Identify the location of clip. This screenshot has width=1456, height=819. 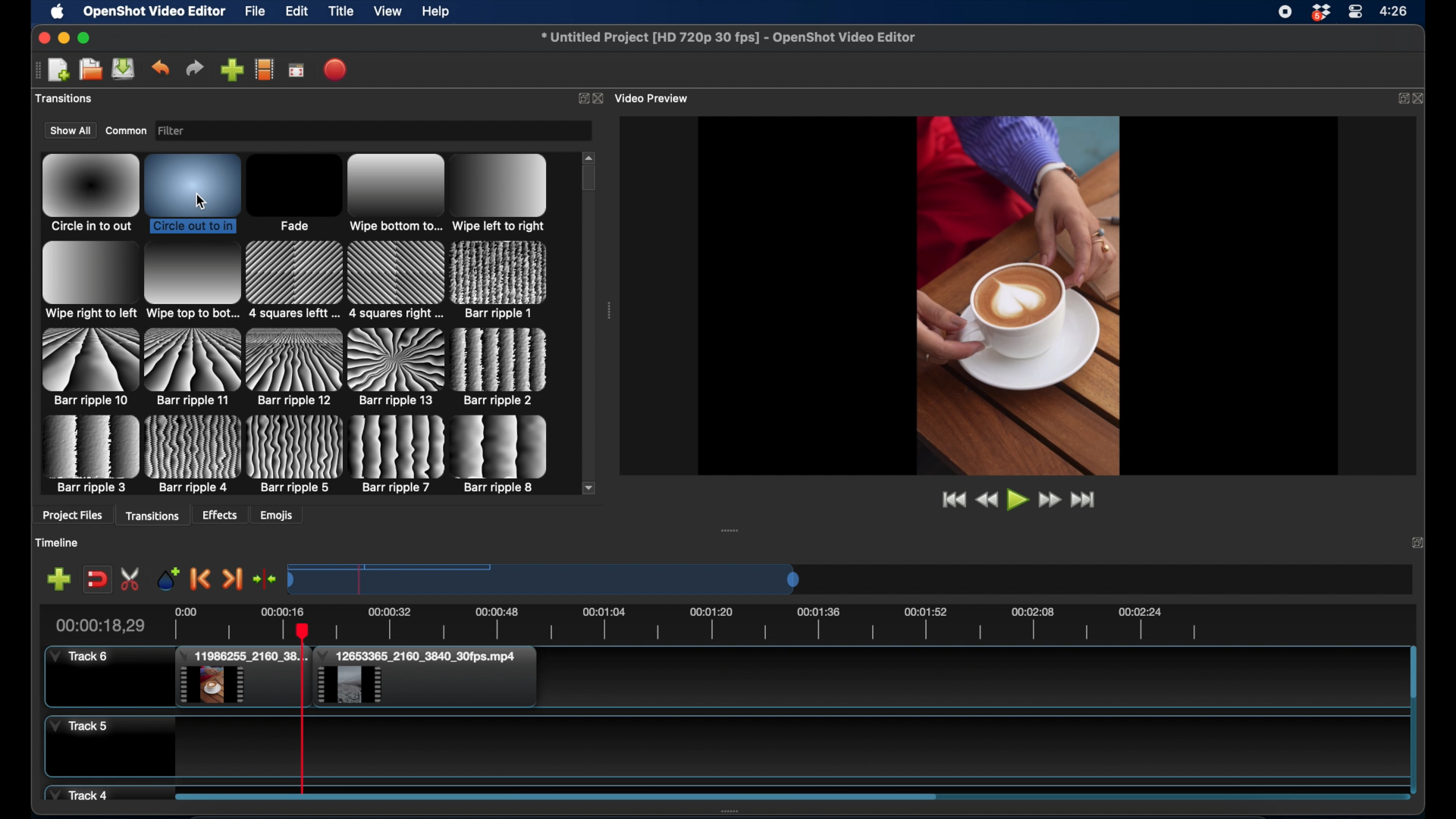
(241, 678).